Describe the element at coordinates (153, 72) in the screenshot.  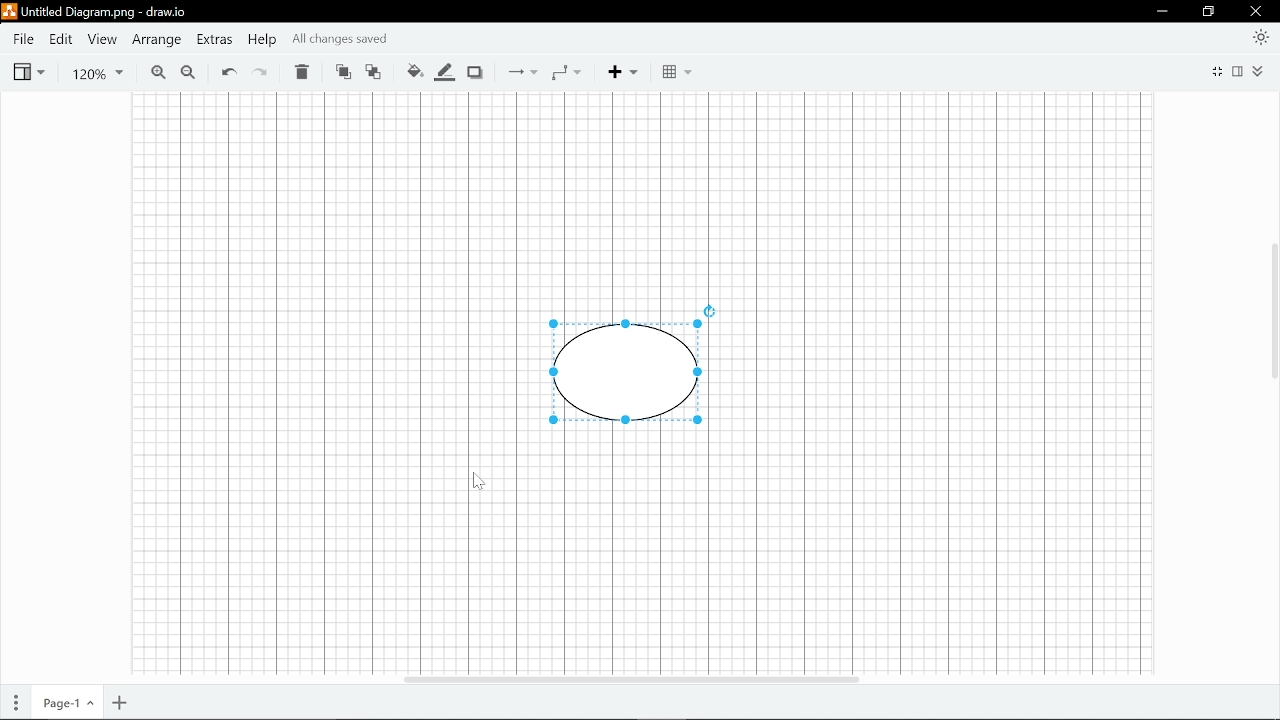
I see `Zoom in` at that location.